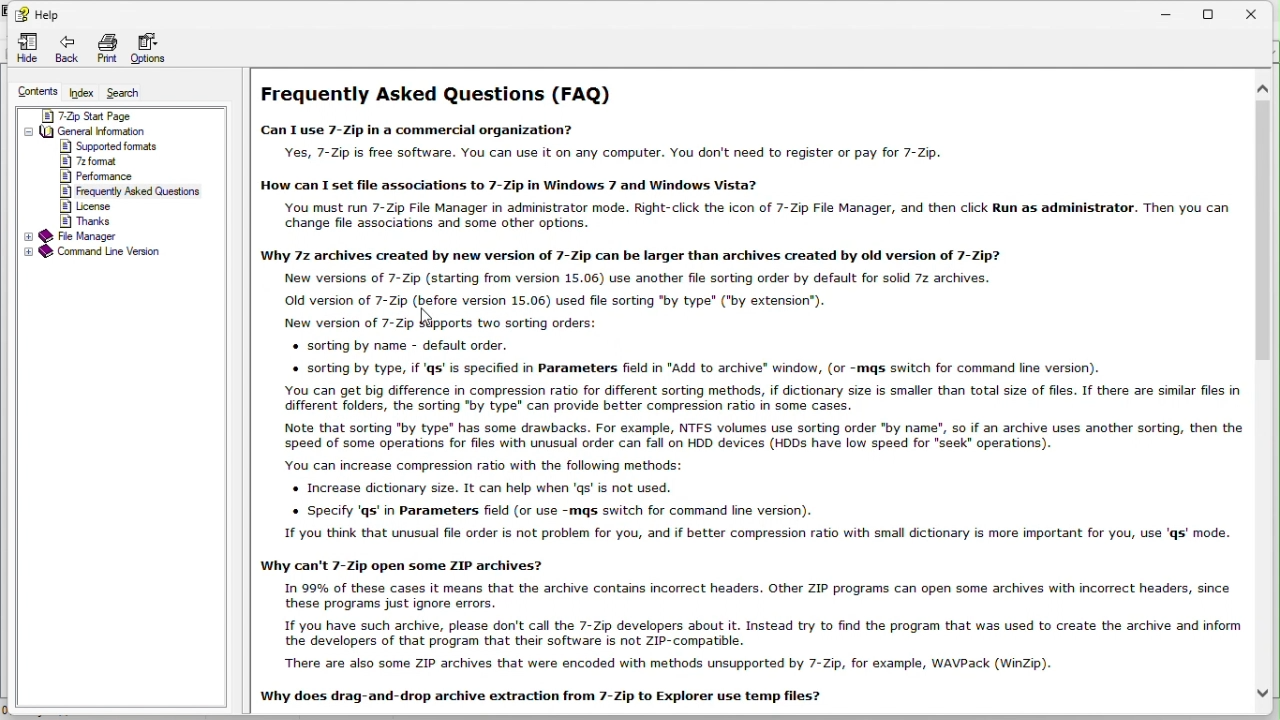 The width and height of the screenshot is (1280, 720). Describe the element at coordinates (432, 318) in the screenshot. I see `cursor` at that location.